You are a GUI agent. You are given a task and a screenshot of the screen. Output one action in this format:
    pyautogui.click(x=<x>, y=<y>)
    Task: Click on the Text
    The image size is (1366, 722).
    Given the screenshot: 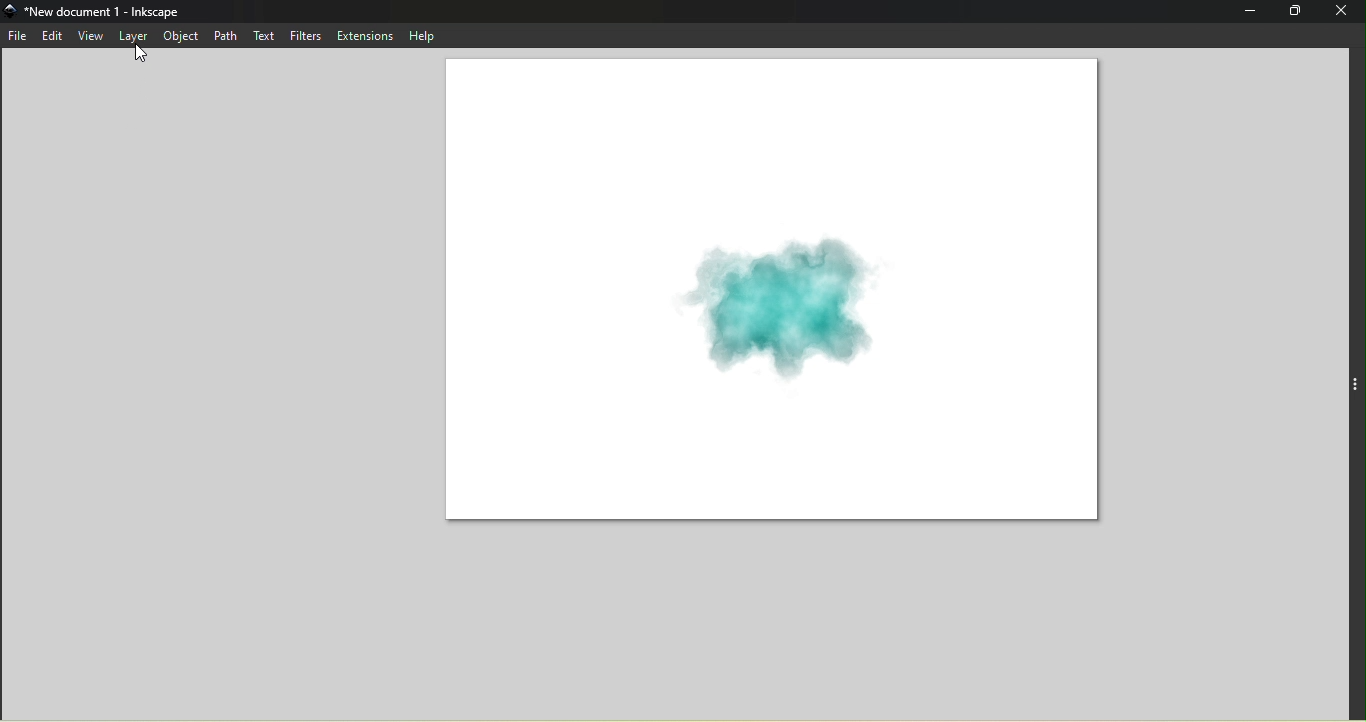 What is the action you would take?
    pyautogui.click(x=262, y=37)
    